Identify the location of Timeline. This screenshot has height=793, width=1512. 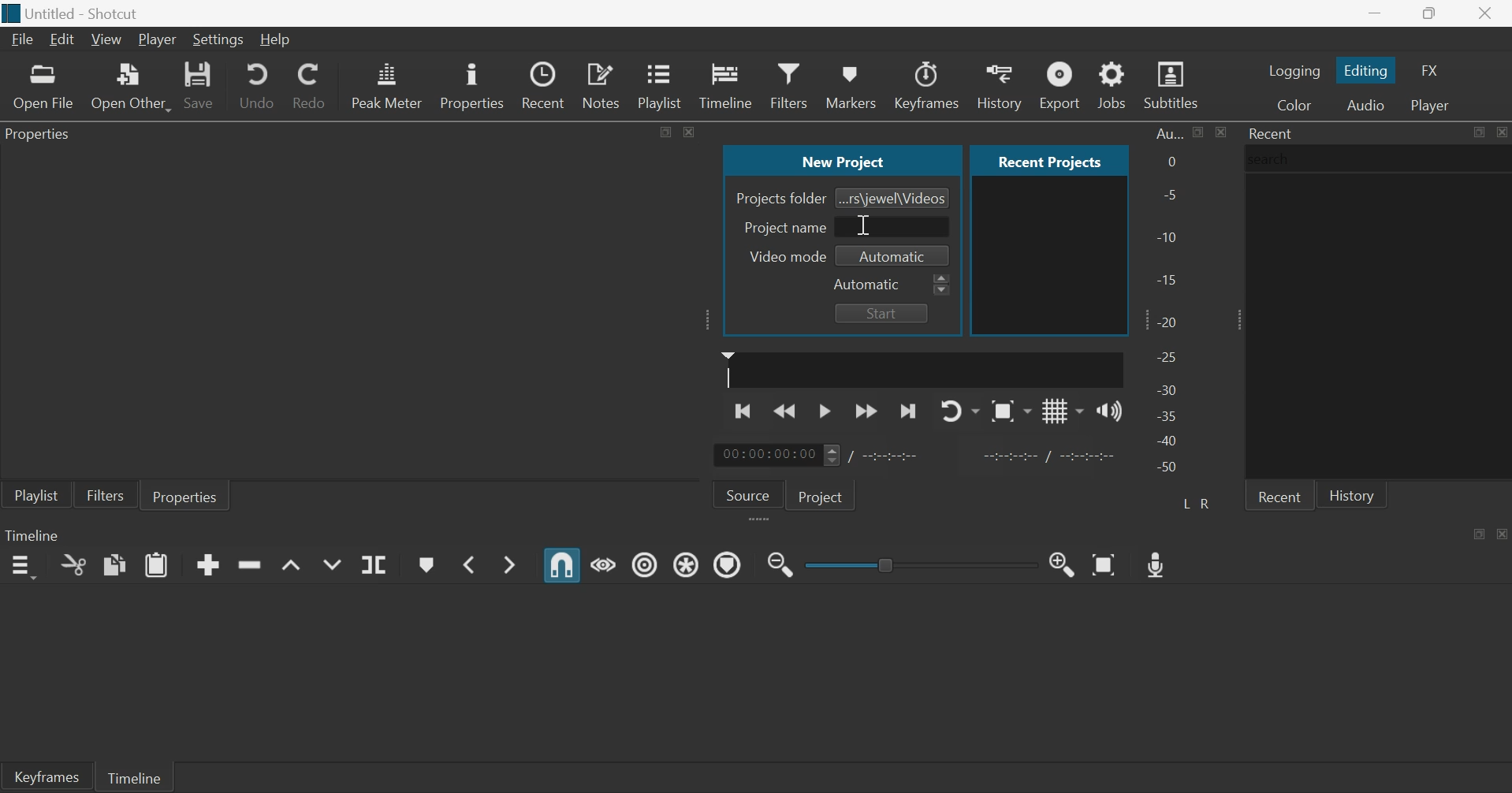
(726, 84).